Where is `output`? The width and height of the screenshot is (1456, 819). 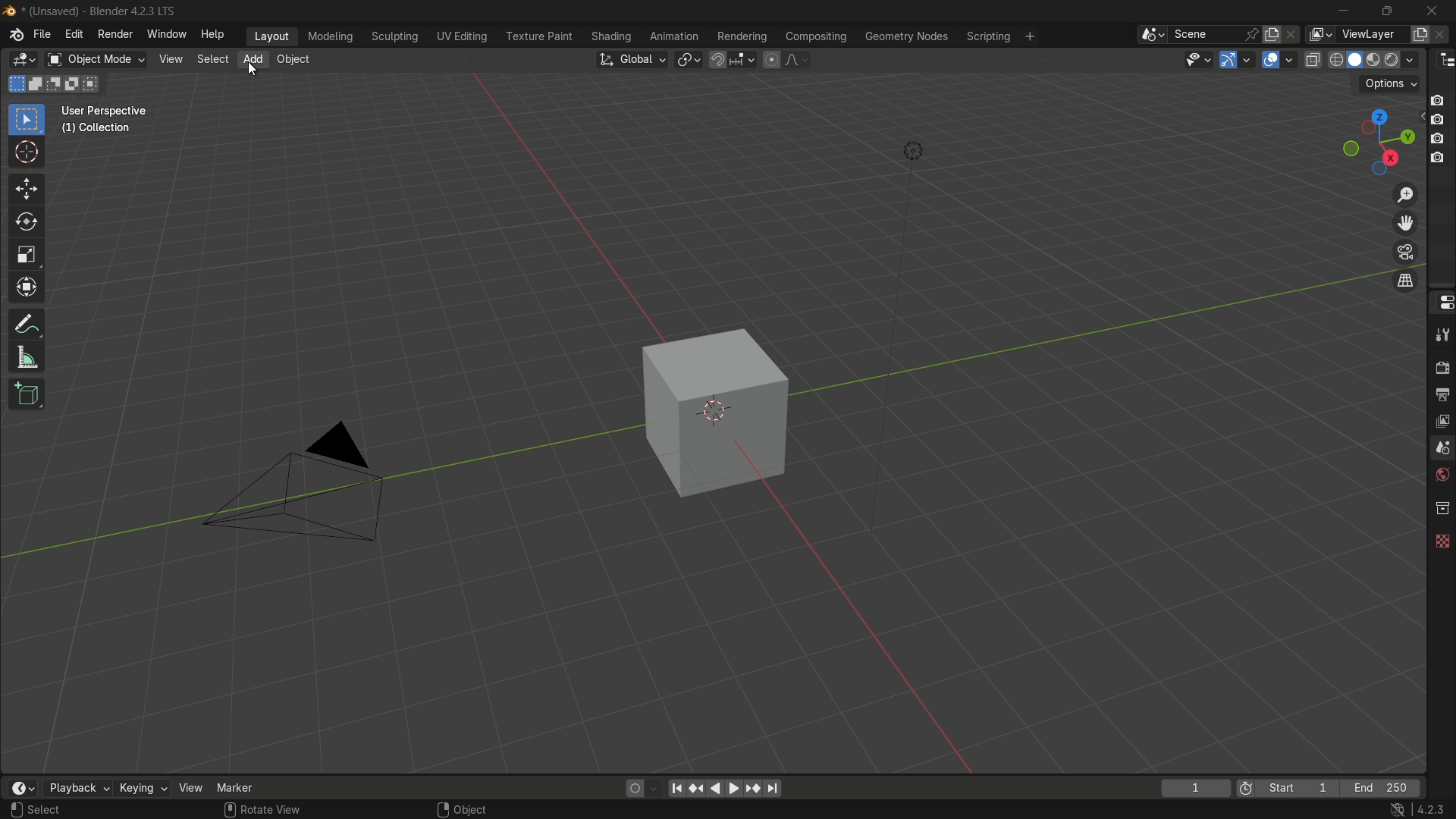 output is located at coordinates (1442, 396).